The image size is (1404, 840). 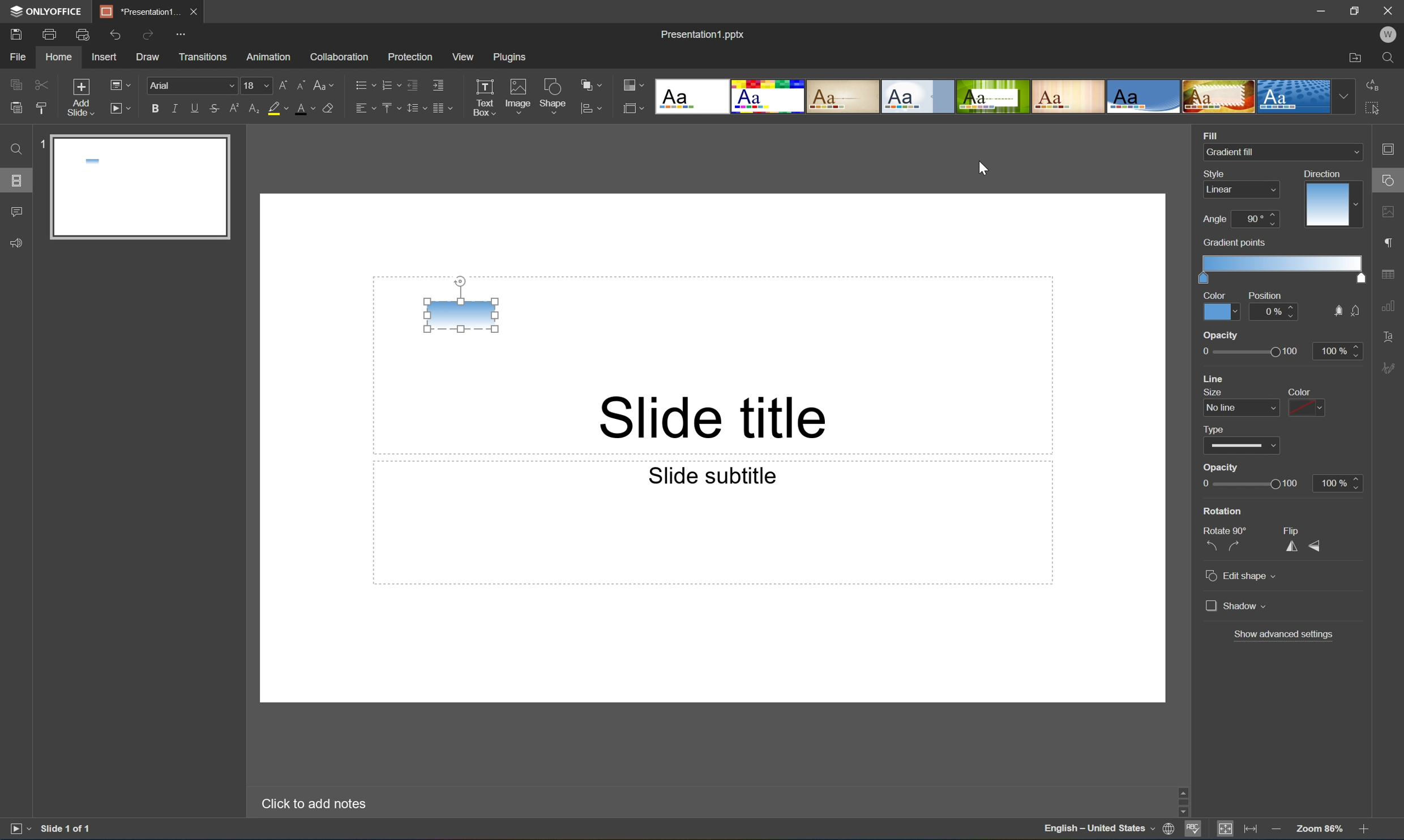 What do you see at coordinates (1256, 218) in the screenshot?
I see `90 degrees` at bounding box center [1256, 218].